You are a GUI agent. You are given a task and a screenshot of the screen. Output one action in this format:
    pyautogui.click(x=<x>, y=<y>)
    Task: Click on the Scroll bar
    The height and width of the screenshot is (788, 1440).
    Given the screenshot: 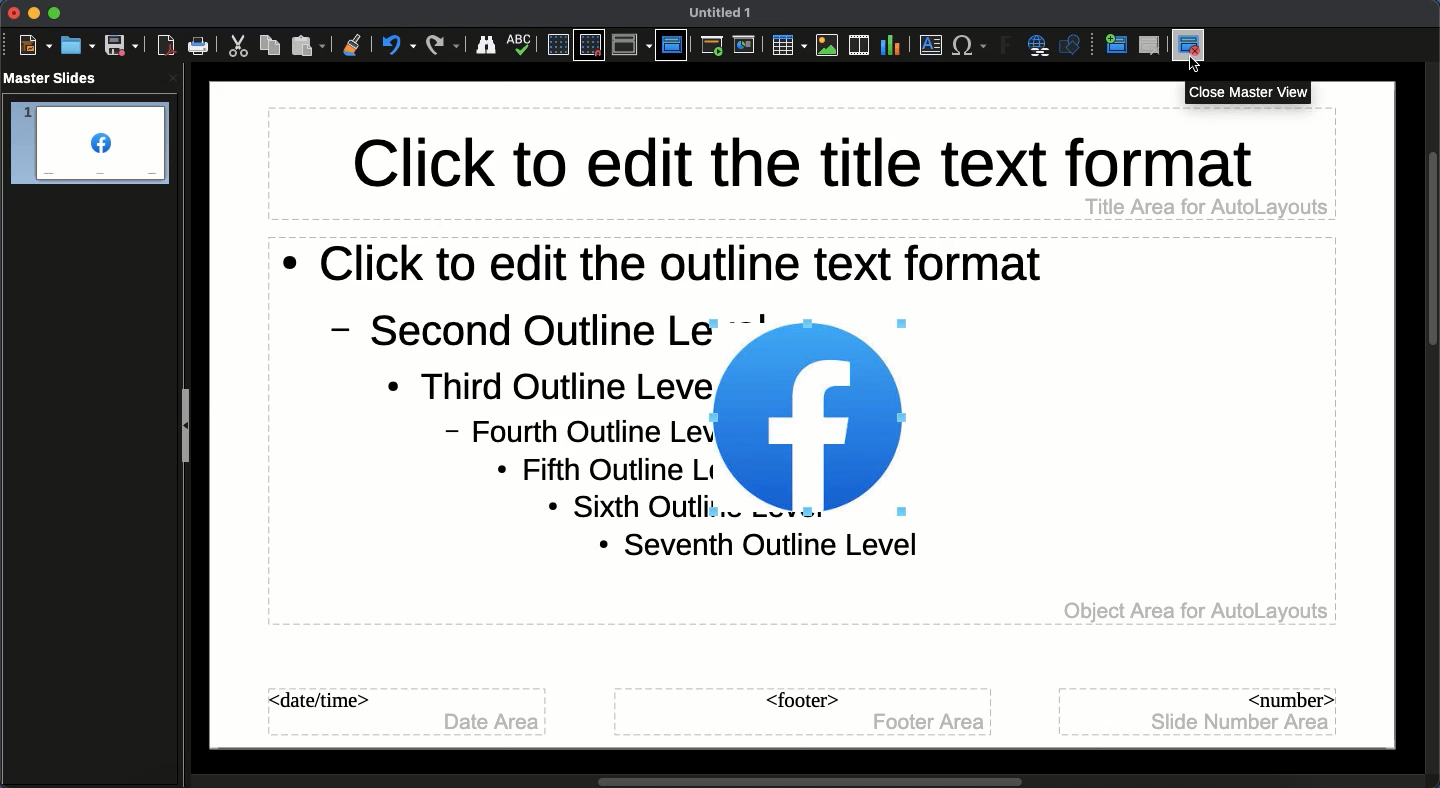 What is the action you would take?
    pyautogui.click(x=1431, y=249)
    